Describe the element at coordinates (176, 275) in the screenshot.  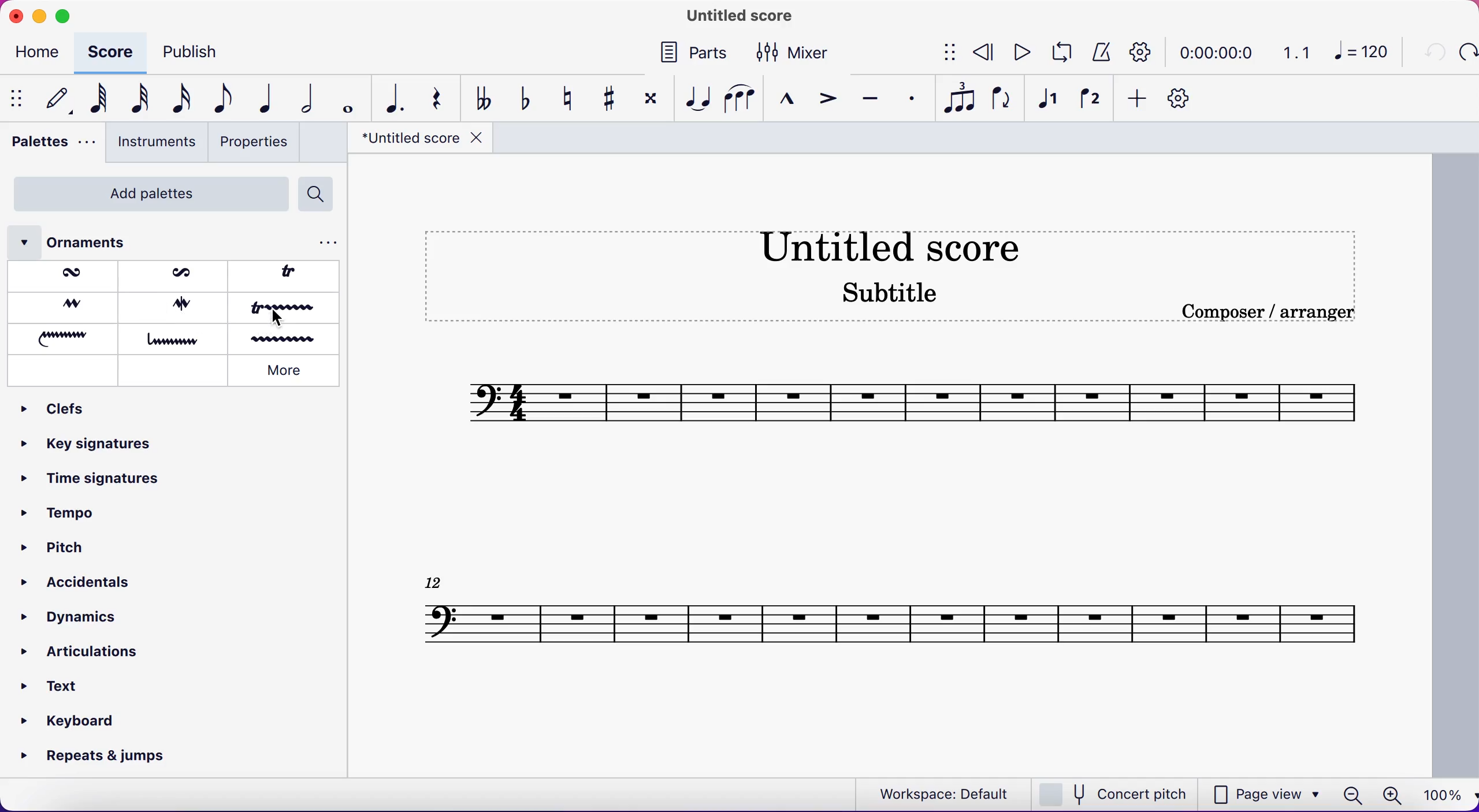
I see `inverted mordent` at that location.